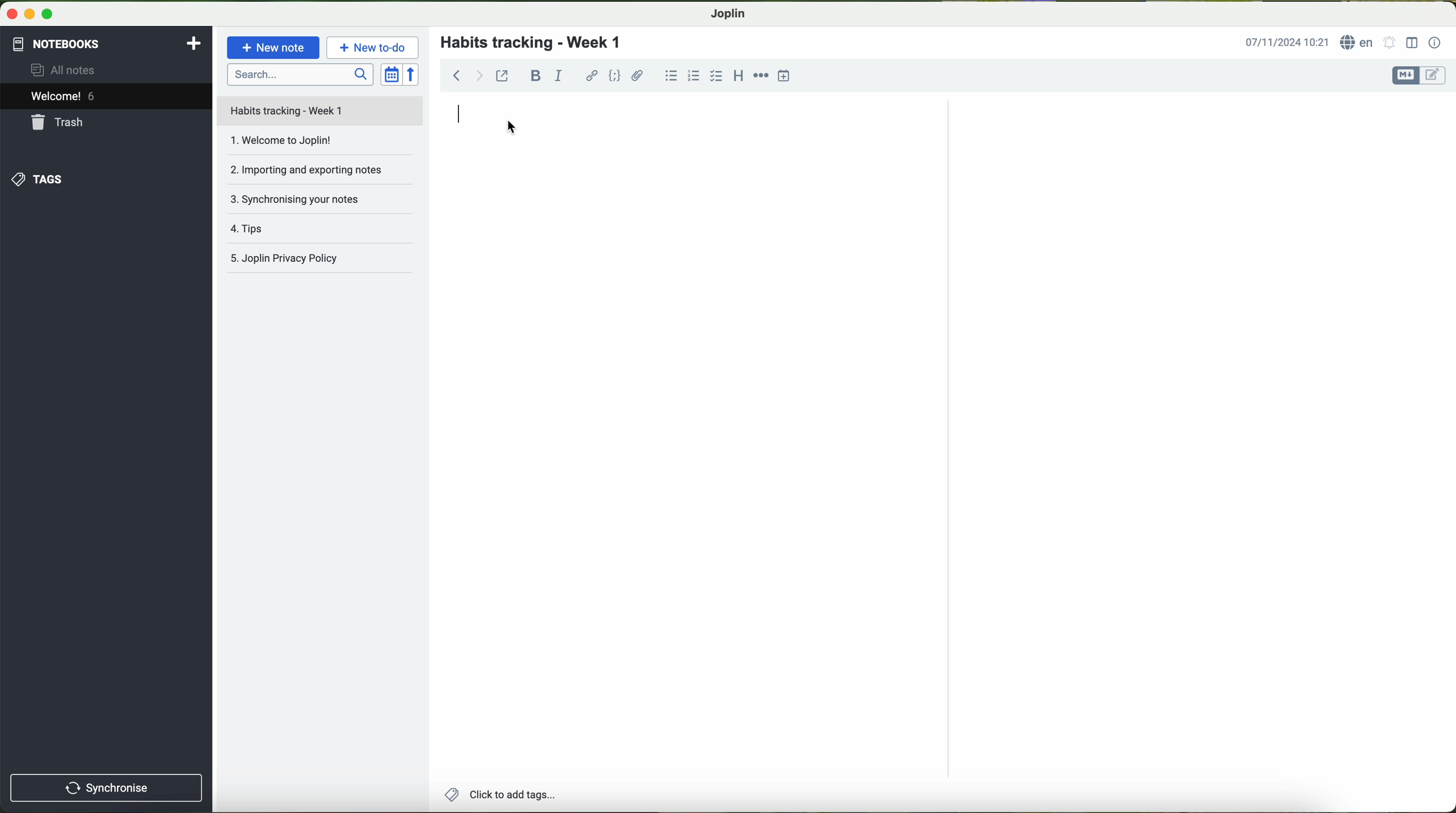 The image size is (1456, 813). What do you see at coordinates (453, 74) in the screenshot?
I see `back` at bounding box center [453, 74].